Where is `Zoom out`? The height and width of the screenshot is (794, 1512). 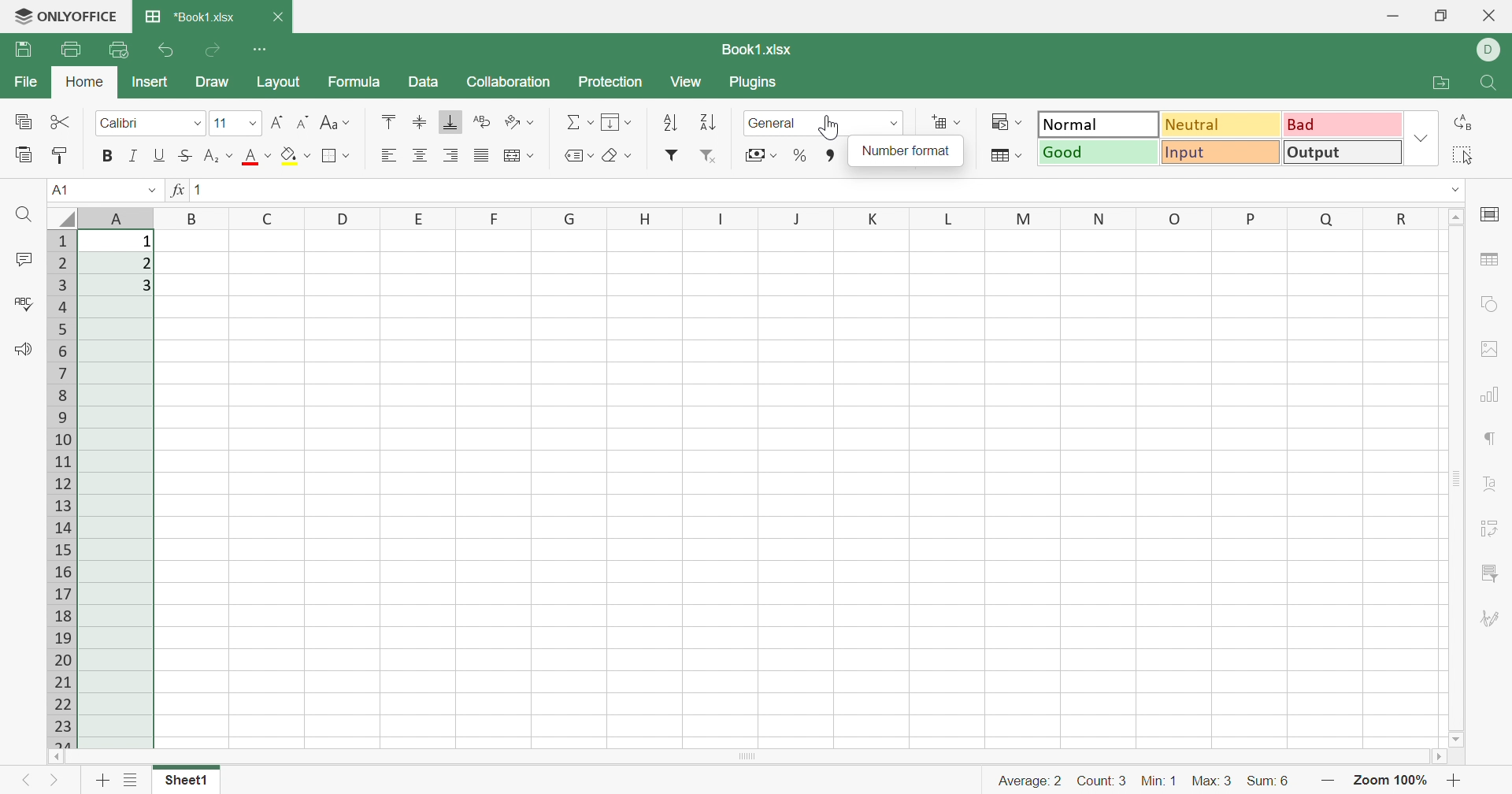
Zoom out is located at coordinates (1455, 783).